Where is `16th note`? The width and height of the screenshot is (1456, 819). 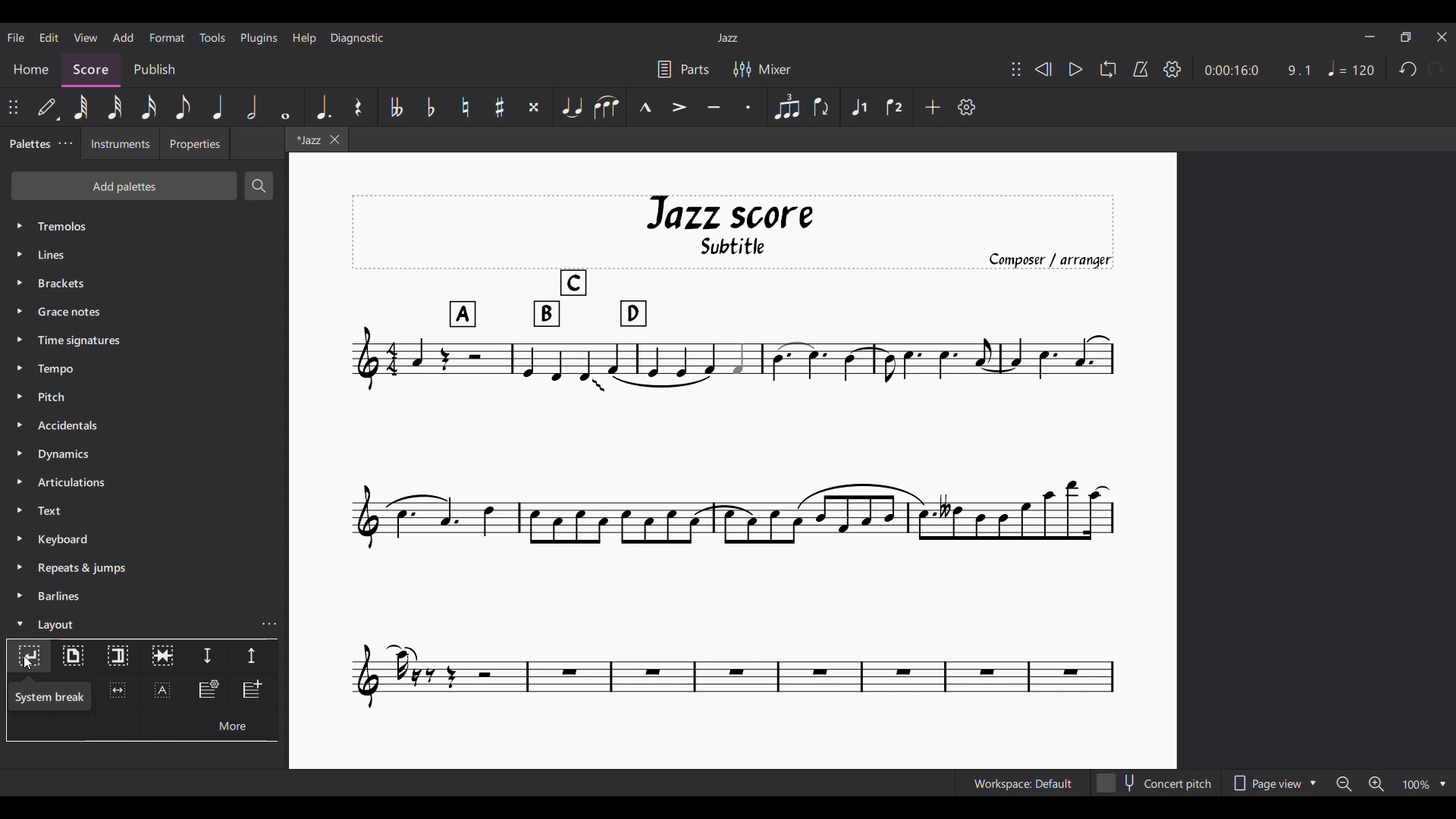 16th note is located at coordinates (148, 107).